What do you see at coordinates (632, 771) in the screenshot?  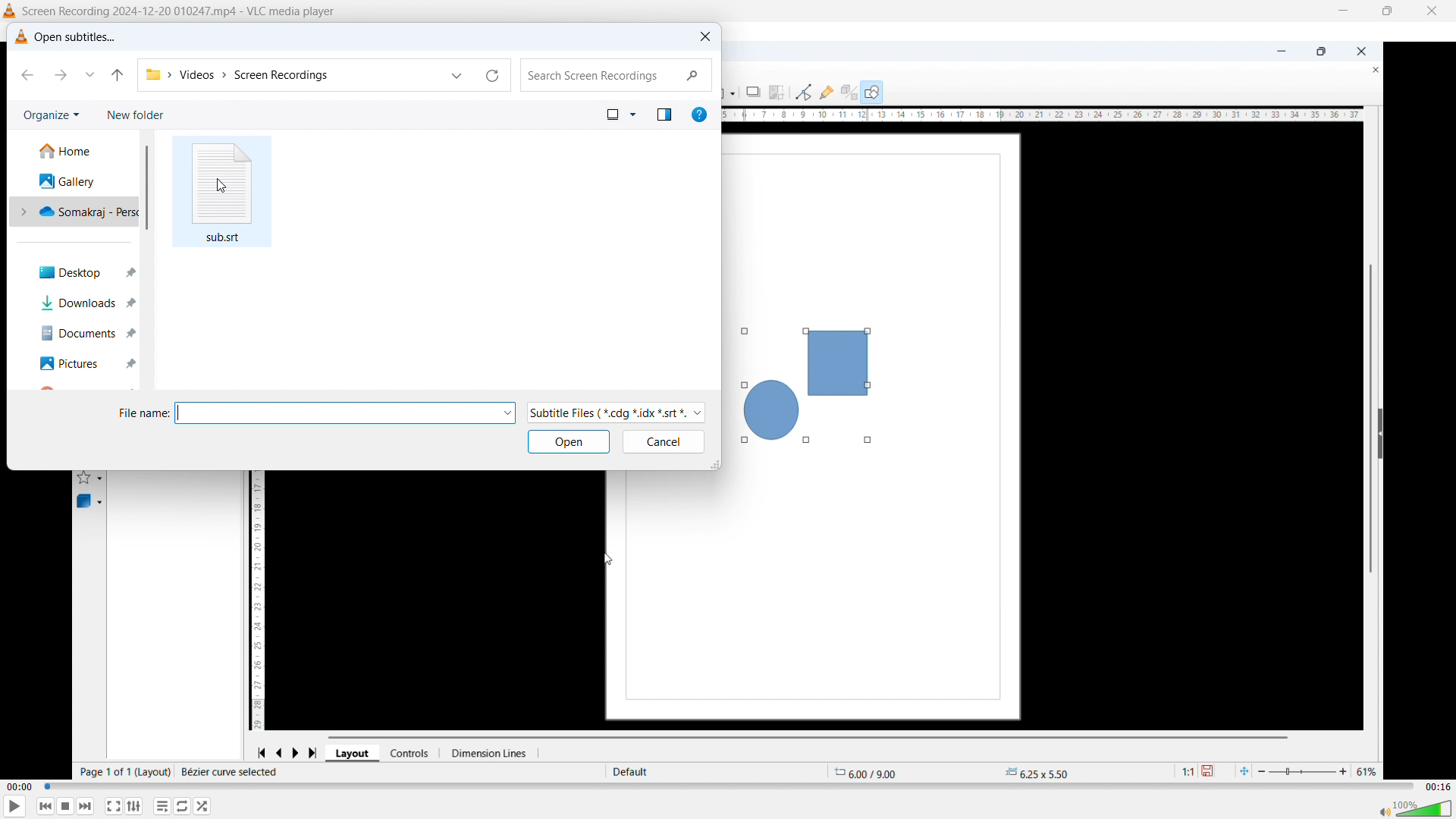 I see `Default` at bounding box center [632, 771].